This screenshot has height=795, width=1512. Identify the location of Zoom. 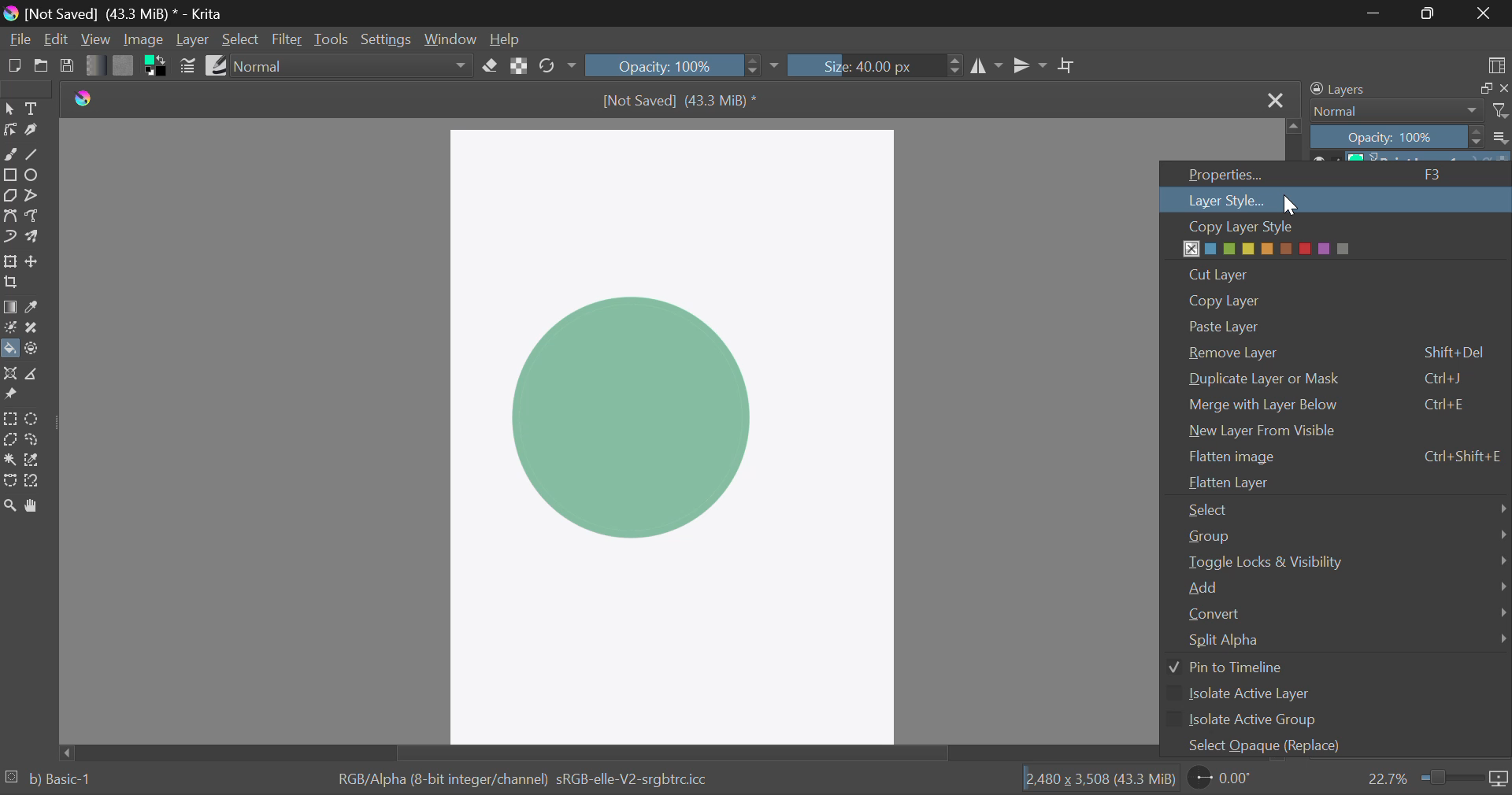
(10, 505).